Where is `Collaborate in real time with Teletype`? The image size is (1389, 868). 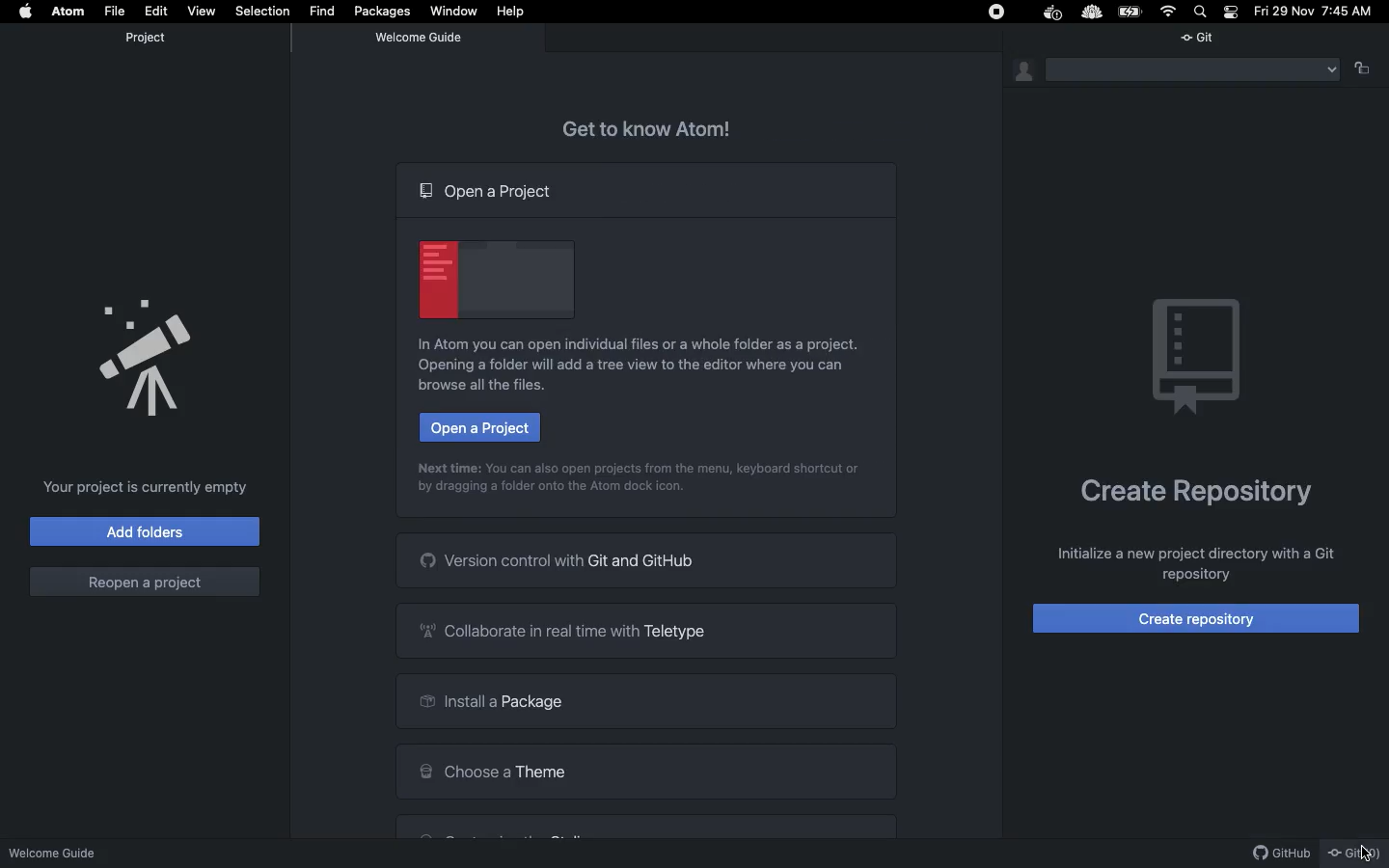 Collaborate in real time with Teletype is located at coordinates (643, 630).